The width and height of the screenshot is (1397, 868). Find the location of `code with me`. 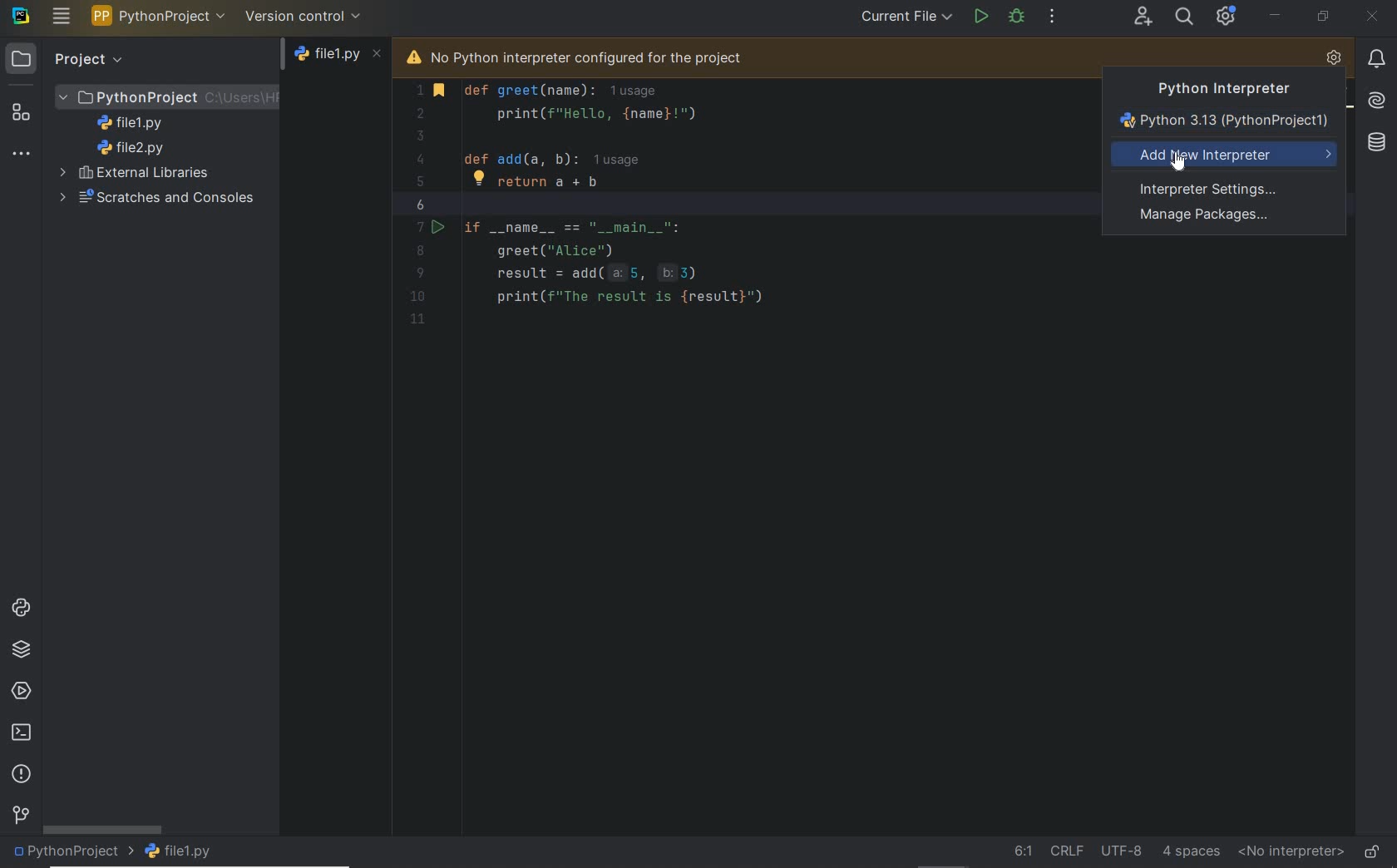

code with me is located at coordinates (1143, 17).